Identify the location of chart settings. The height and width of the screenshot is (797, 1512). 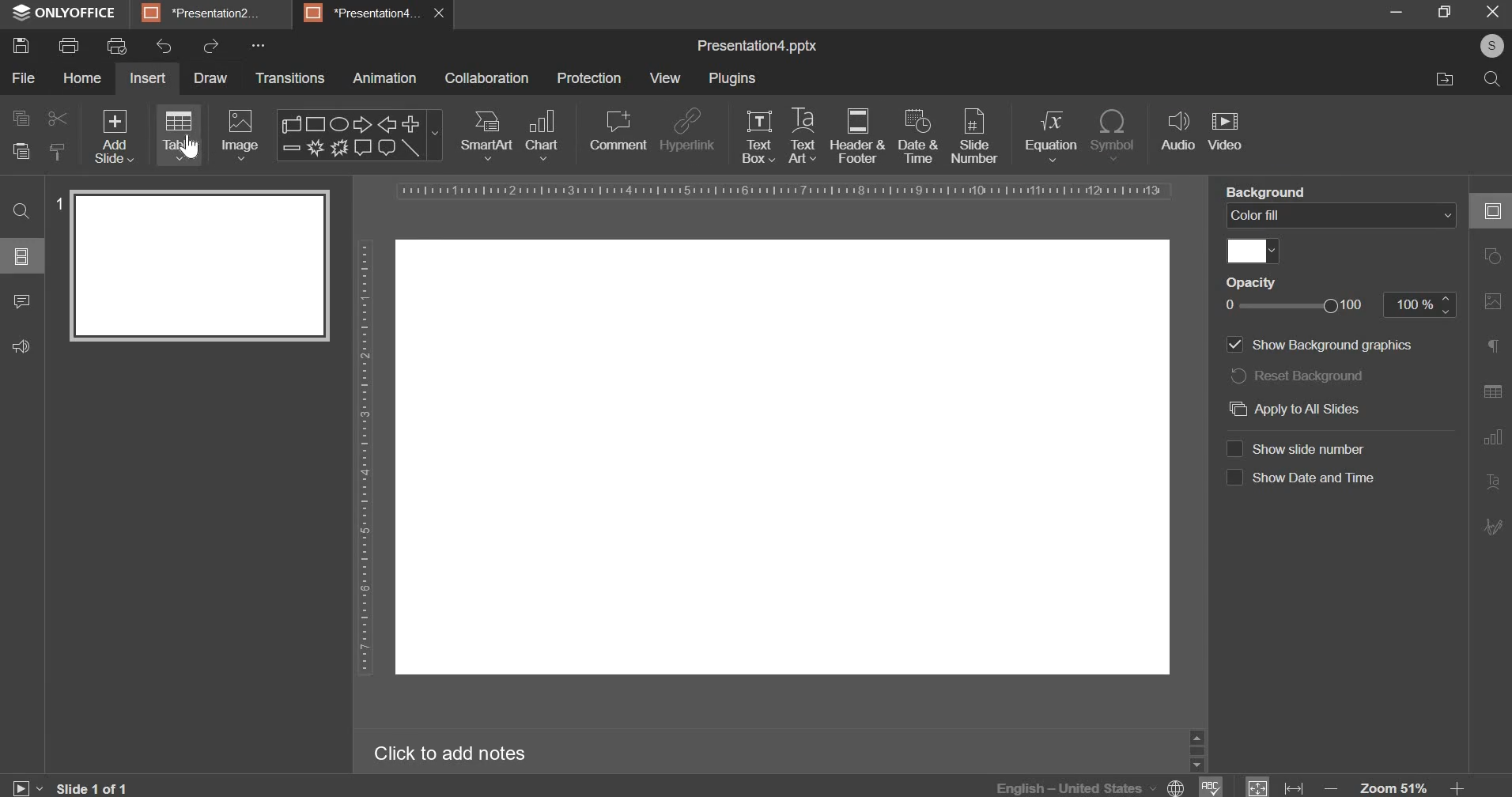
(1495, 436).